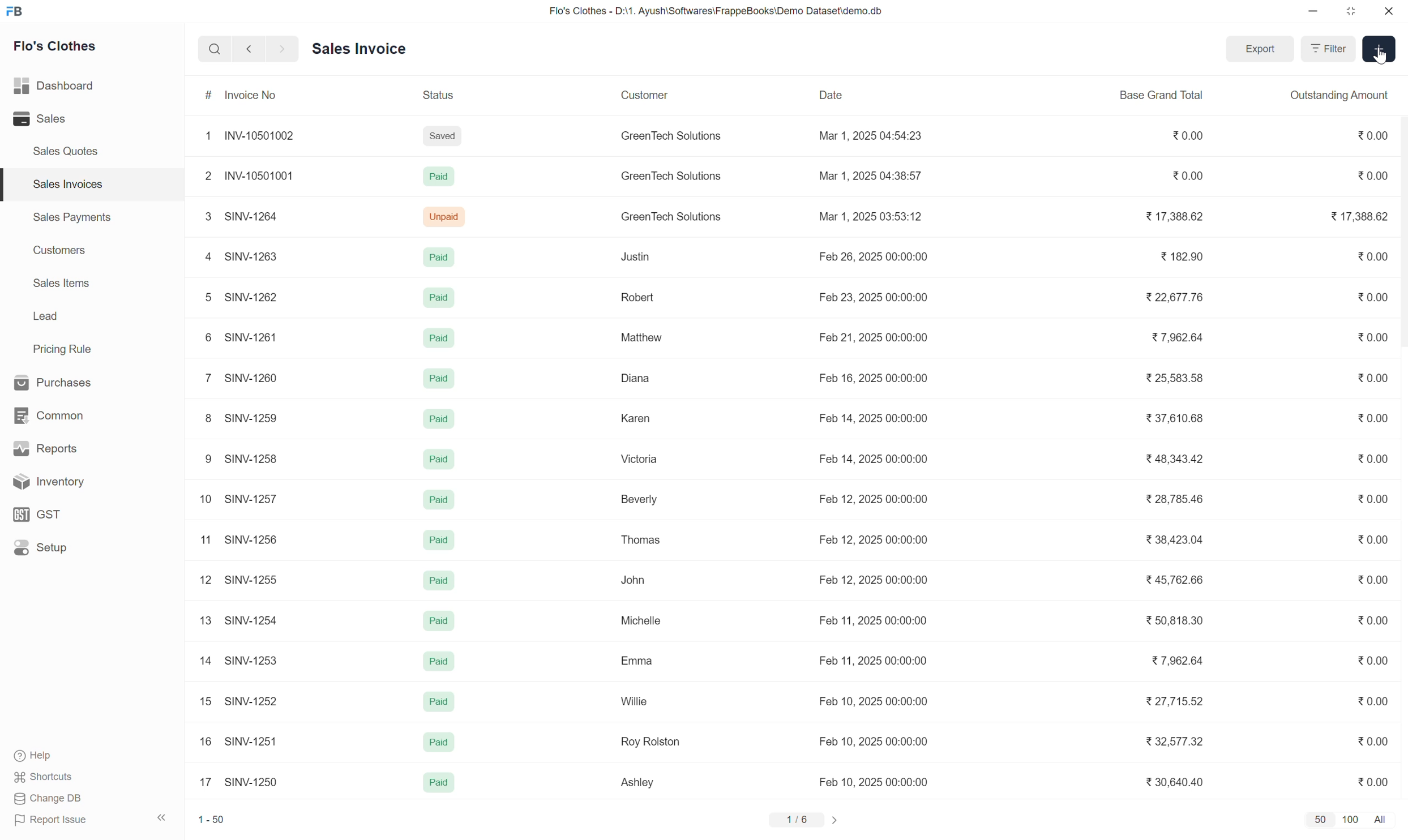 The height and width of the screenshot is (840, 1408). I want to click on Saved, so click(449, 140).